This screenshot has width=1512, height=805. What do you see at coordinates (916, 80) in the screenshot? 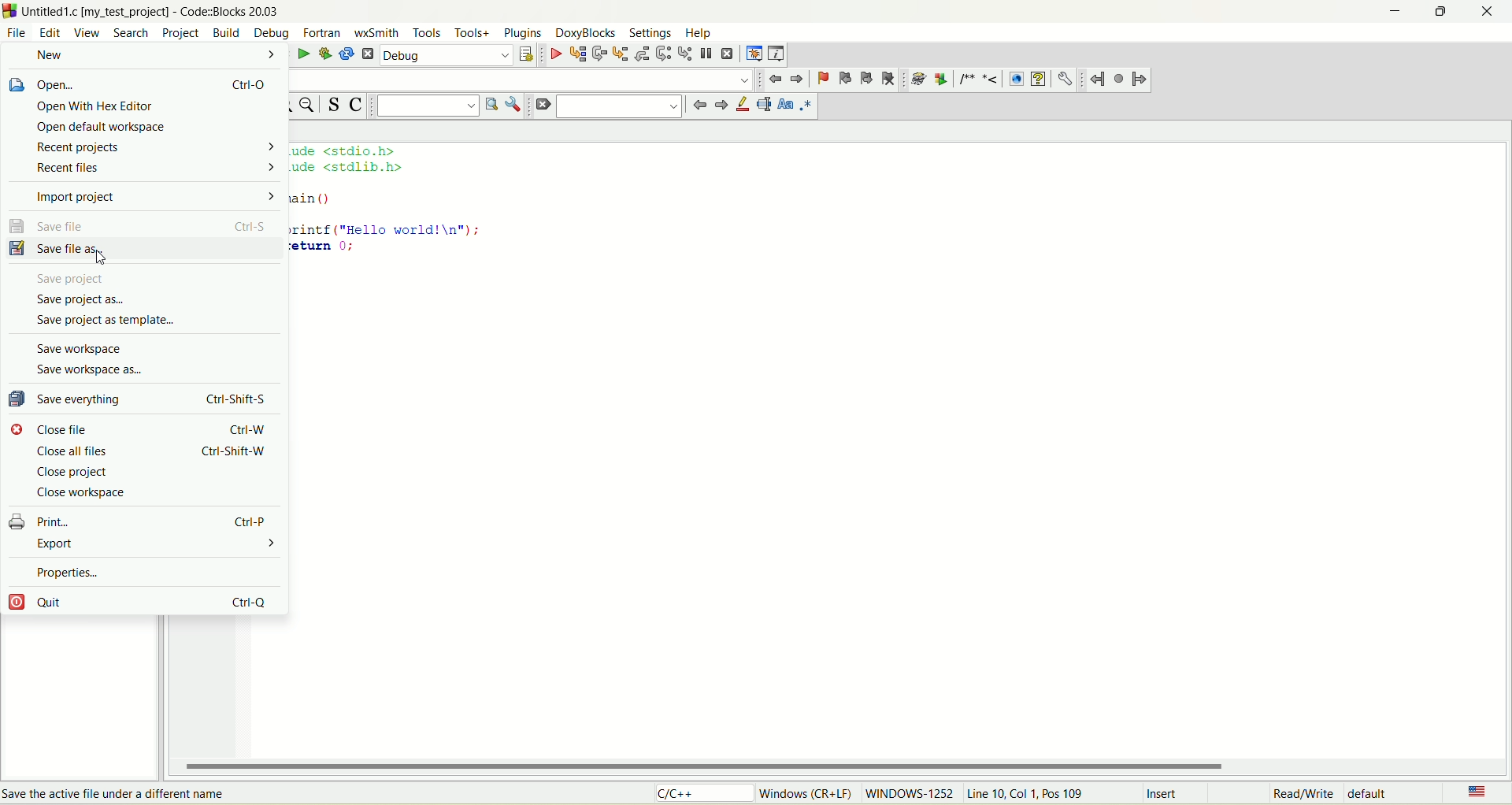
I see `doxywizard` at bounding box center [916, 80].